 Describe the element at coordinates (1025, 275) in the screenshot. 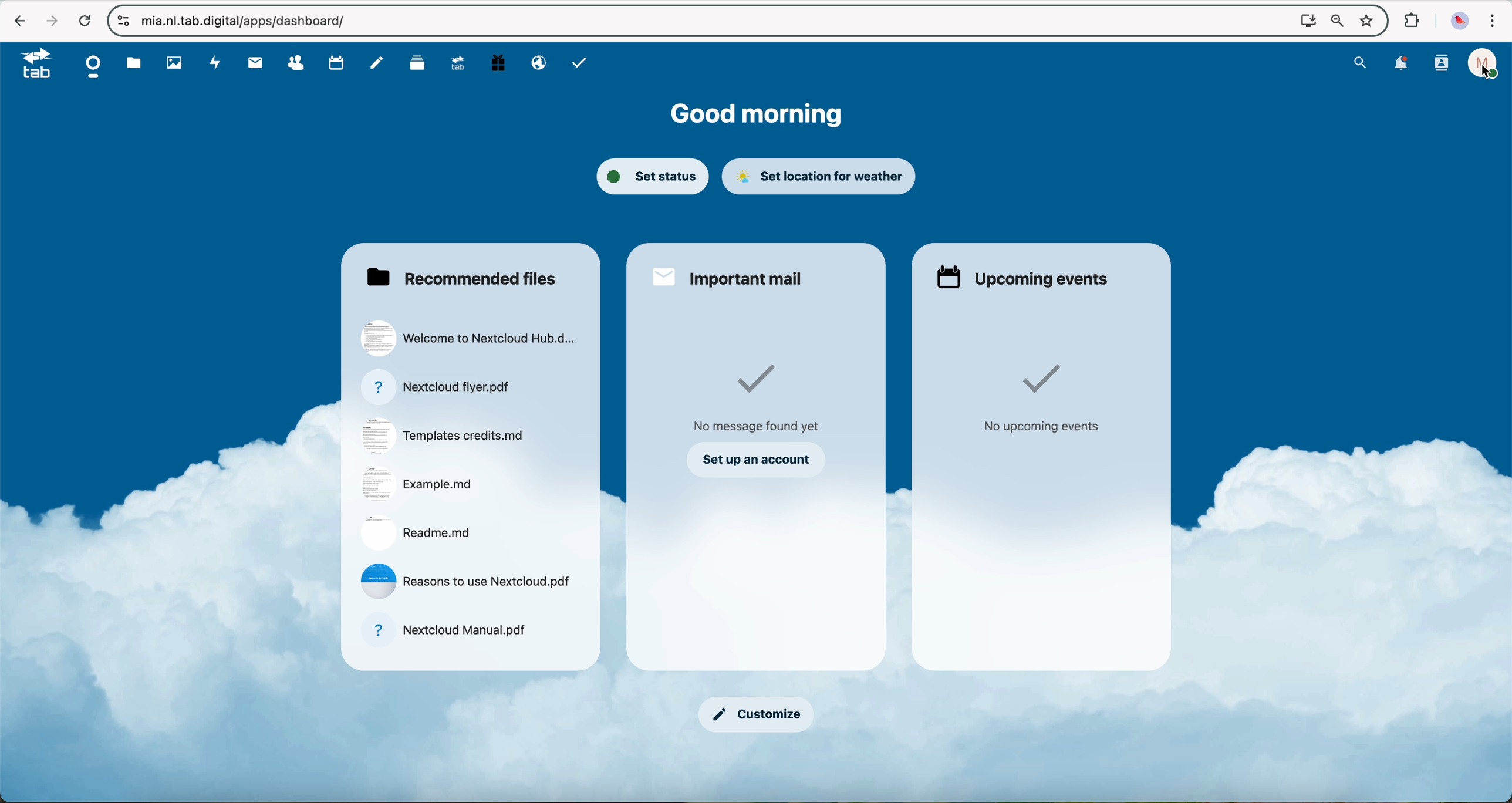

I see `upcoming events` at that location.